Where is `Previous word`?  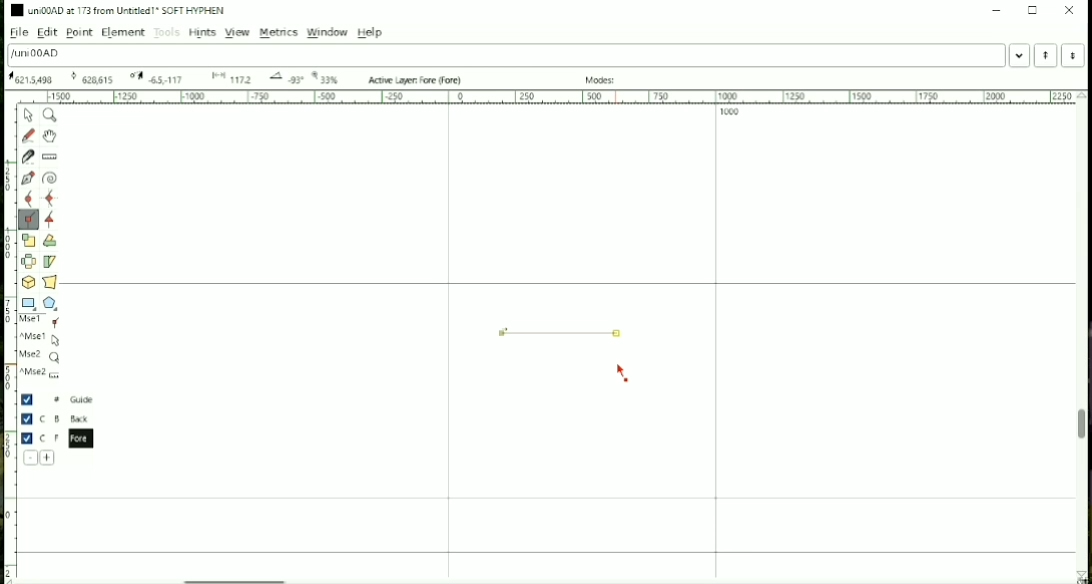
Previous word is located at coordinates (1045, 55).